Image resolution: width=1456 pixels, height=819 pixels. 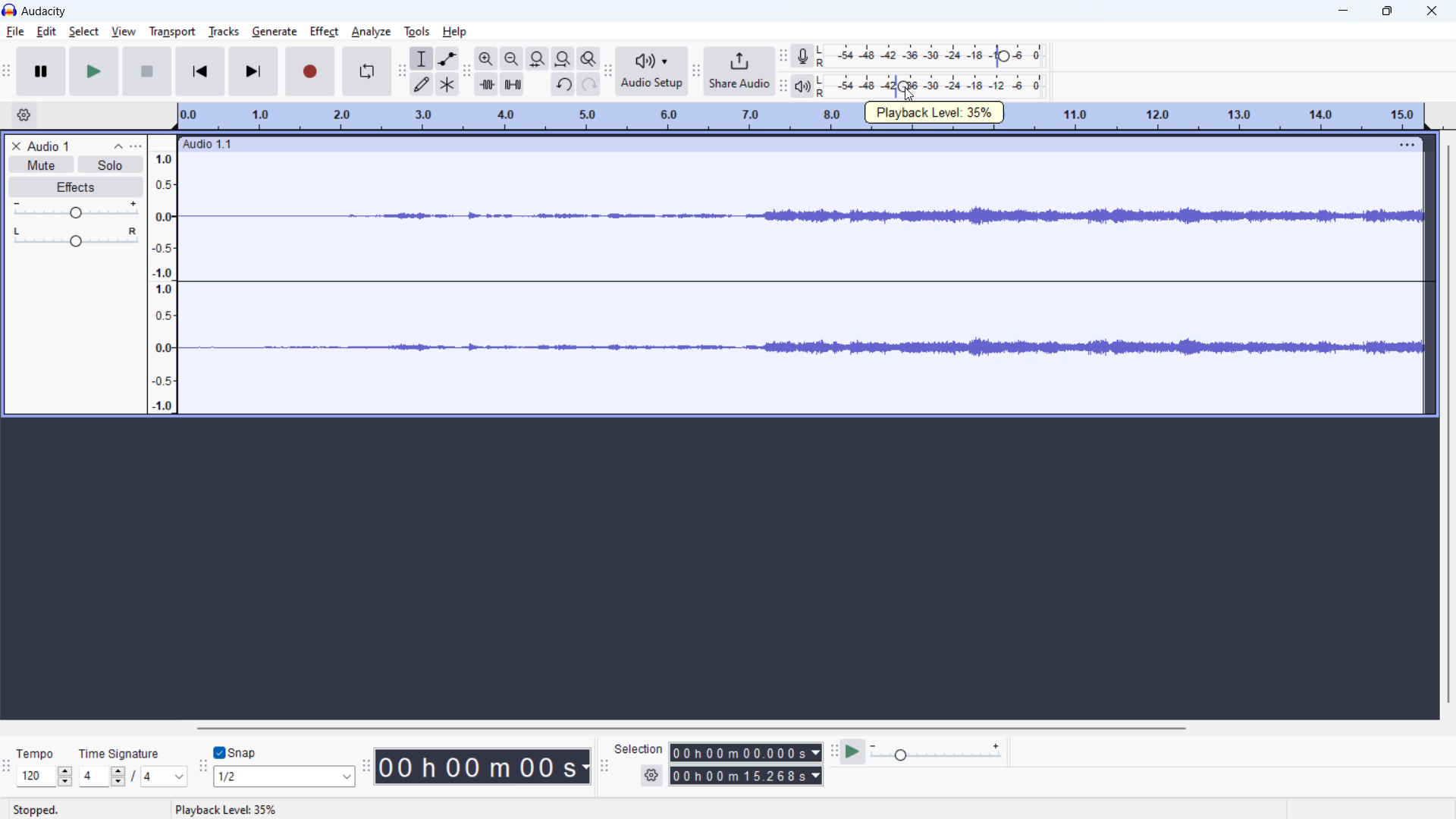 I want to click on select, so click(x=84, y=31).